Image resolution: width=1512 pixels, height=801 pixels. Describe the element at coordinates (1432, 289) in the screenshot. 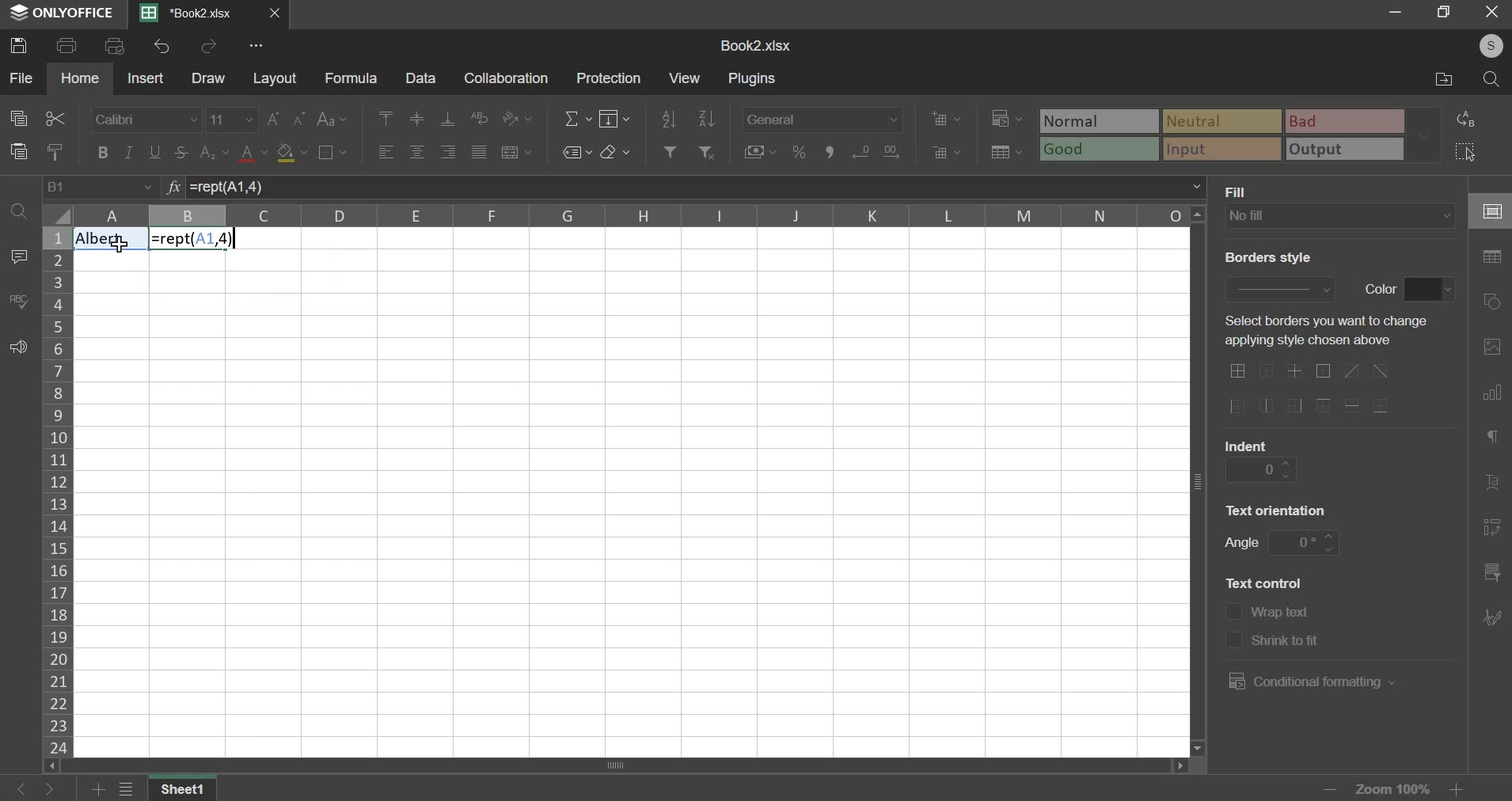

I see `color` at that location.